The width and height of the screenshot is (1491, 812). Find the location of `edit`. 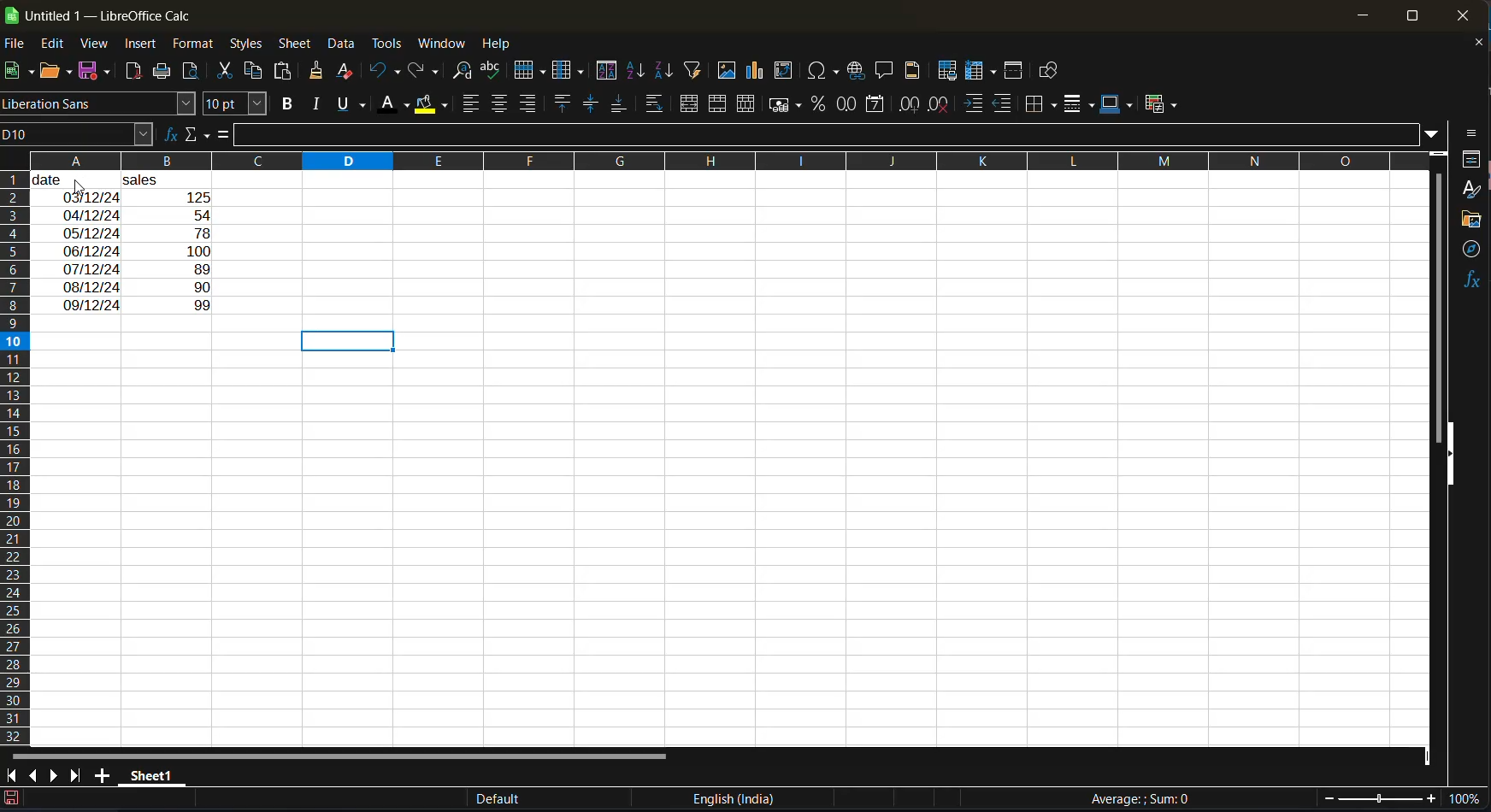

edit is located at coordinates (57, 44).